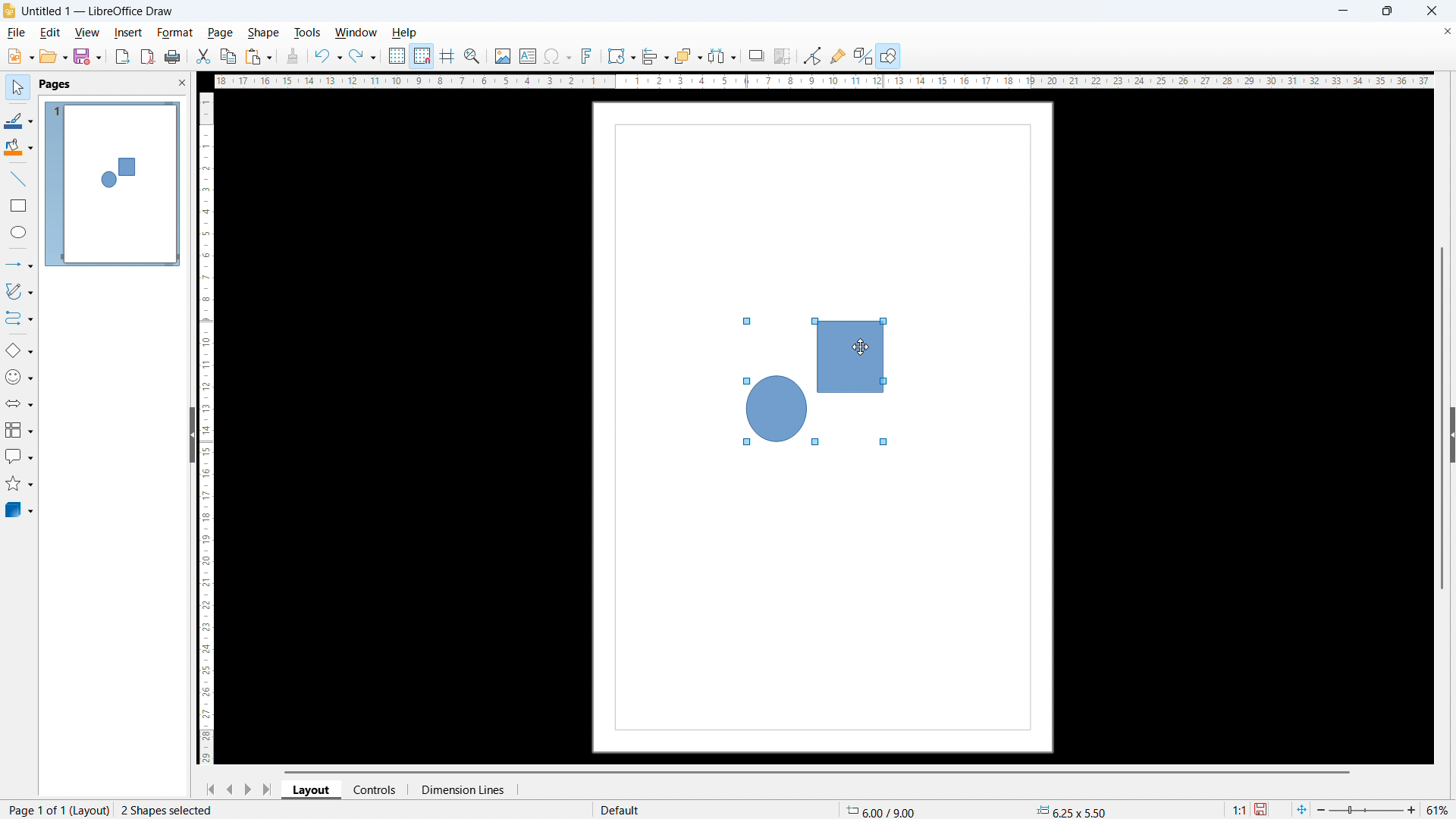 The width and height of the screenshot is (1456, 819). Describe the element at coordinates (884, 810) in the screenshot. I see `cursor coordinate` at that location.